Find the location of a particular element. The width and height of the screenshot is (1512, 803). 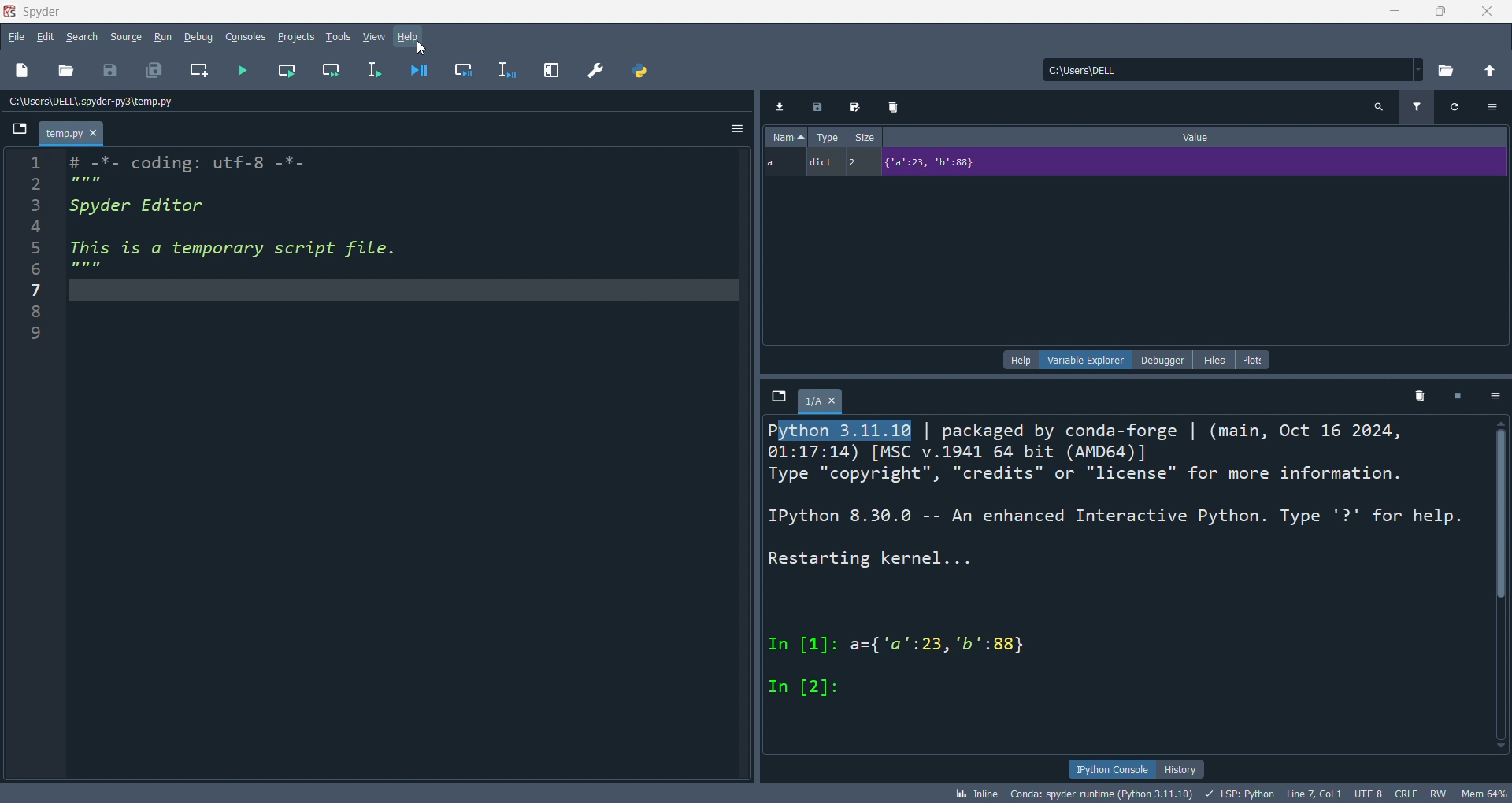

consoles is located at coordinates (246, 37).